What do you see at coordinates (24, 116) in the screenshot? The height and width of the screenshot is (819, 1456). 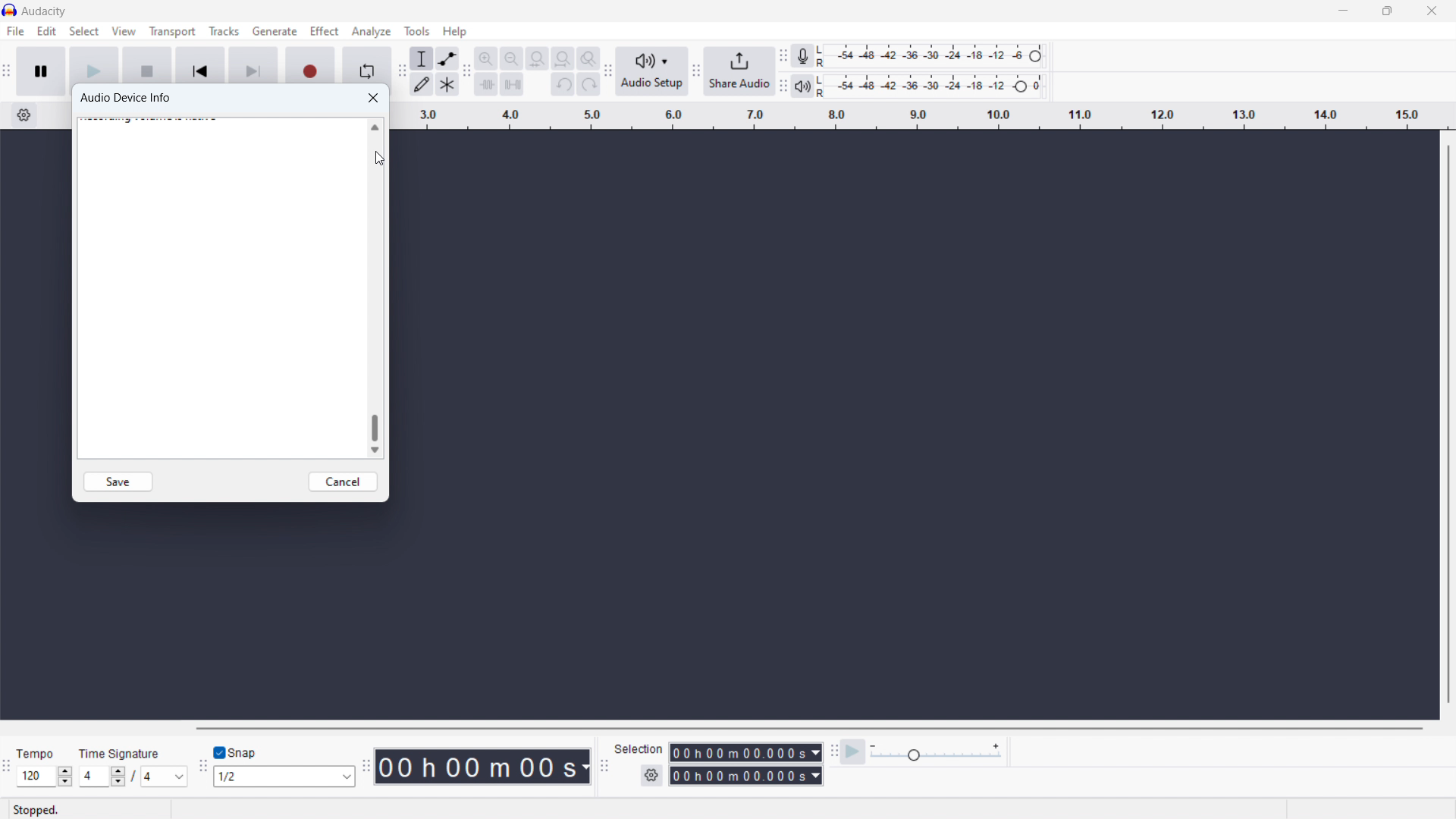 I see `timeline settings` at bounding box center [24, 116].